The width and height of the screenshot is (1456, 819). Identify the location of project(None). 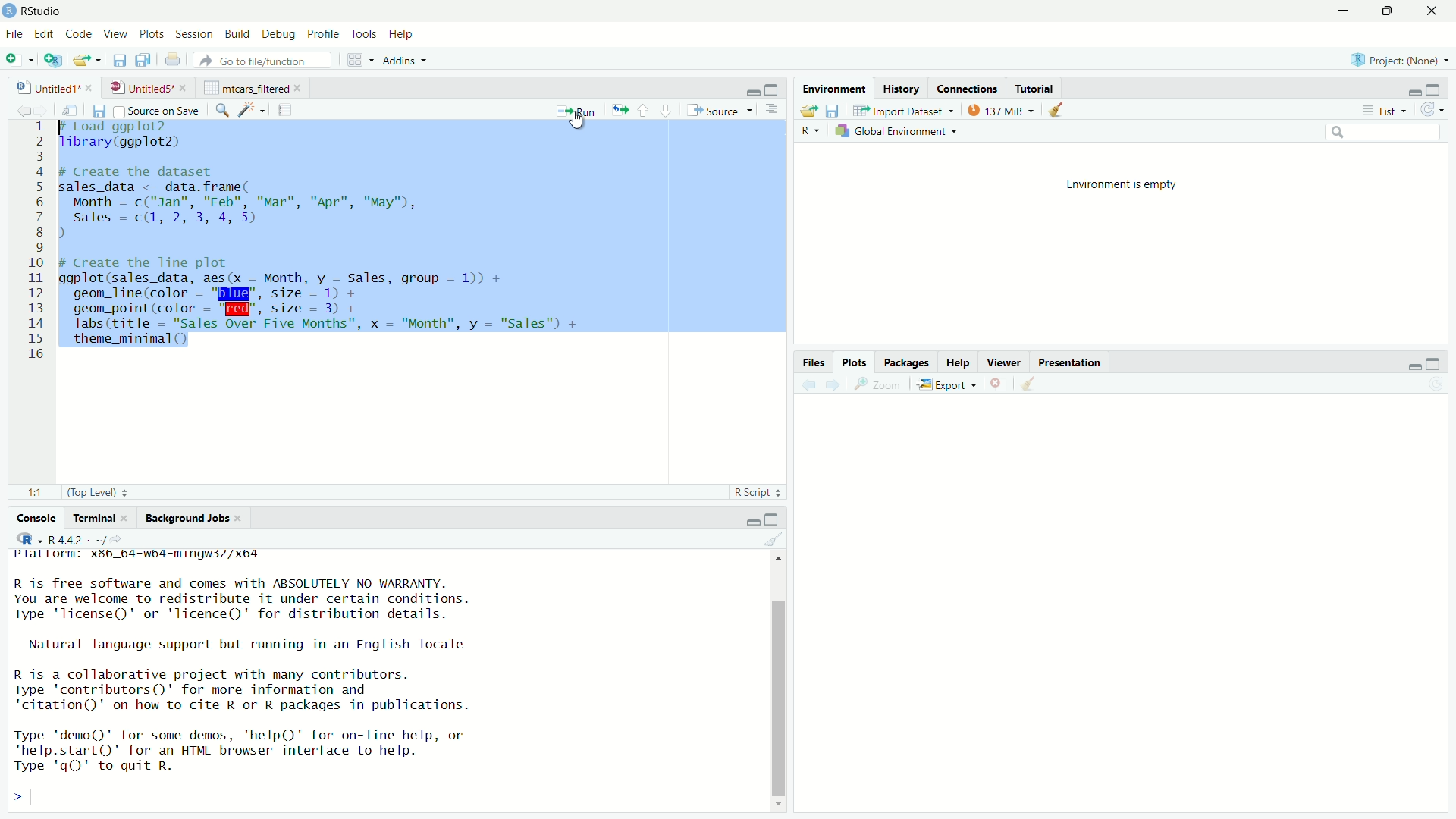
(1394, 60).